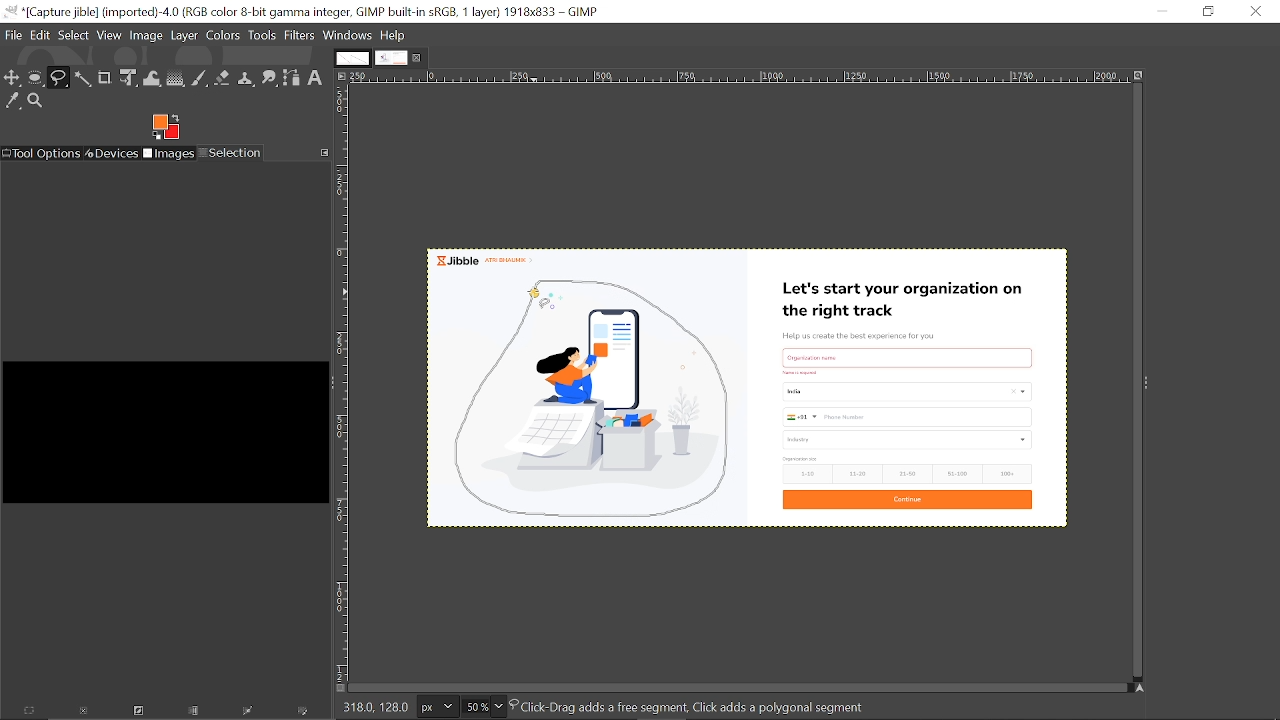  Describe the element at coordinates (304, 713) in the screenshot. I see `Paint along the selection outline` at that location.